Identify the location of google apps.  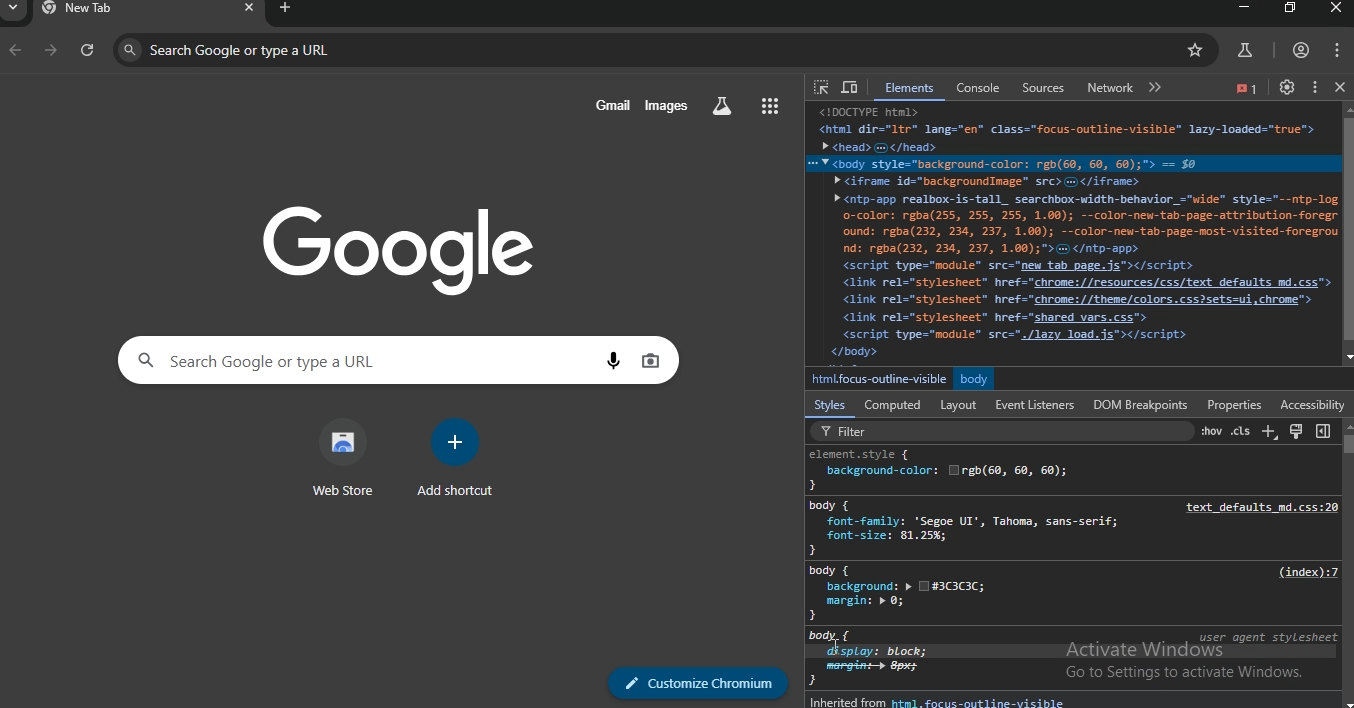
(771, 105).